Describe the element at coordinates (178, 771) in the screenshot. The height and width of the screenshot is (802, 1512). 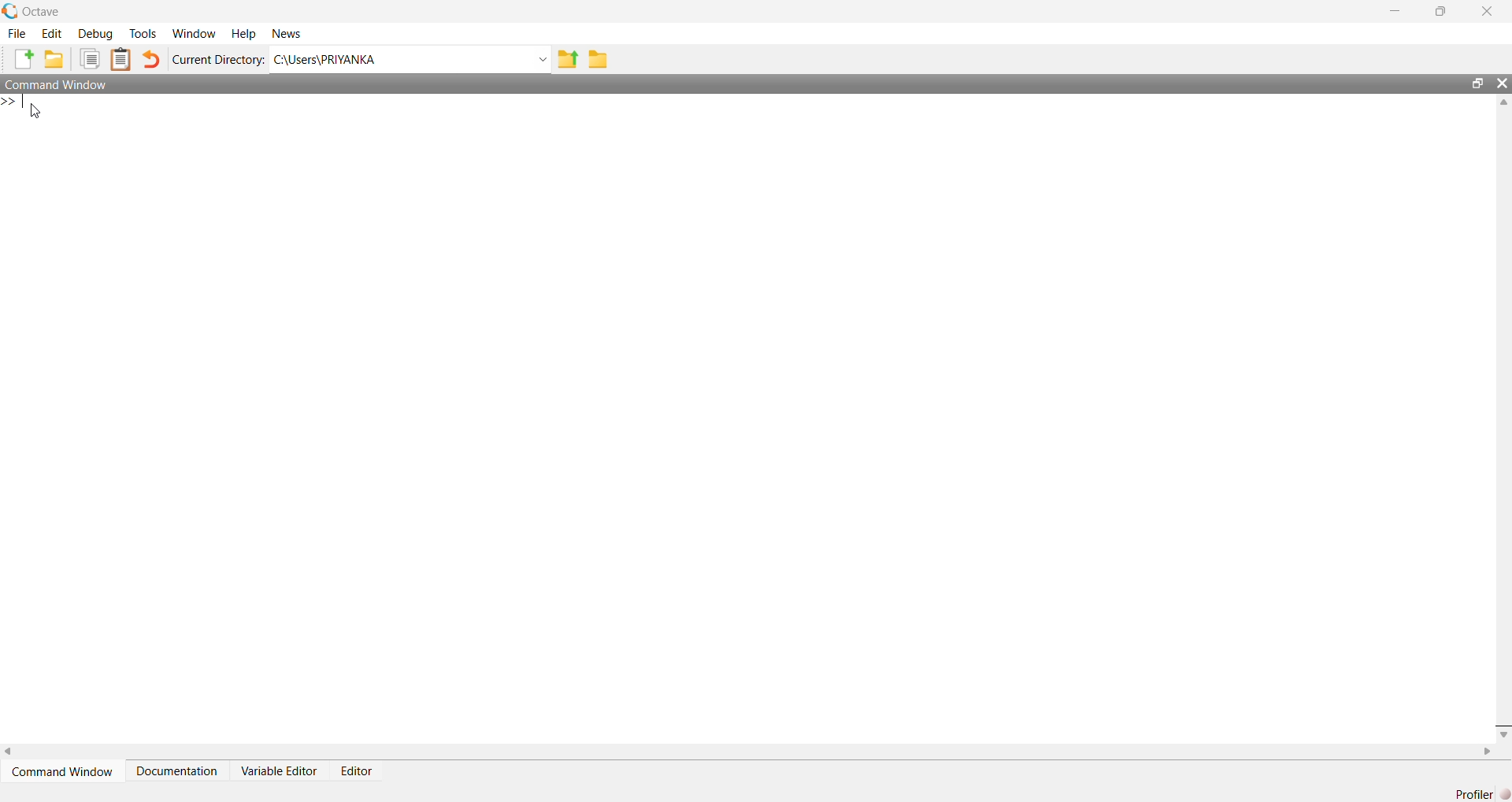
I see `Documentation` at that location.